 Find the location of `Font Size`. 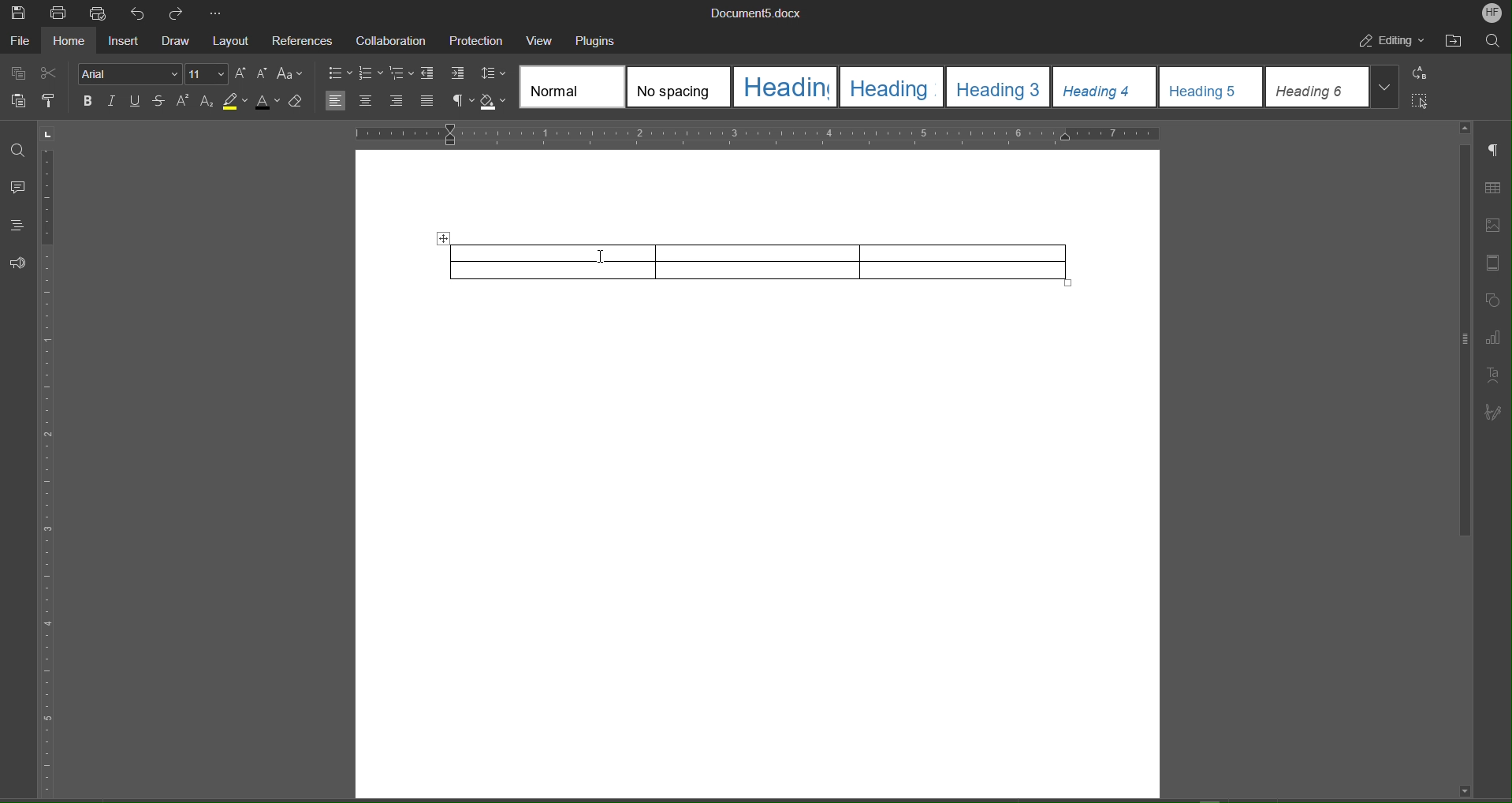

Font Size is located at coordinates (206, 74).